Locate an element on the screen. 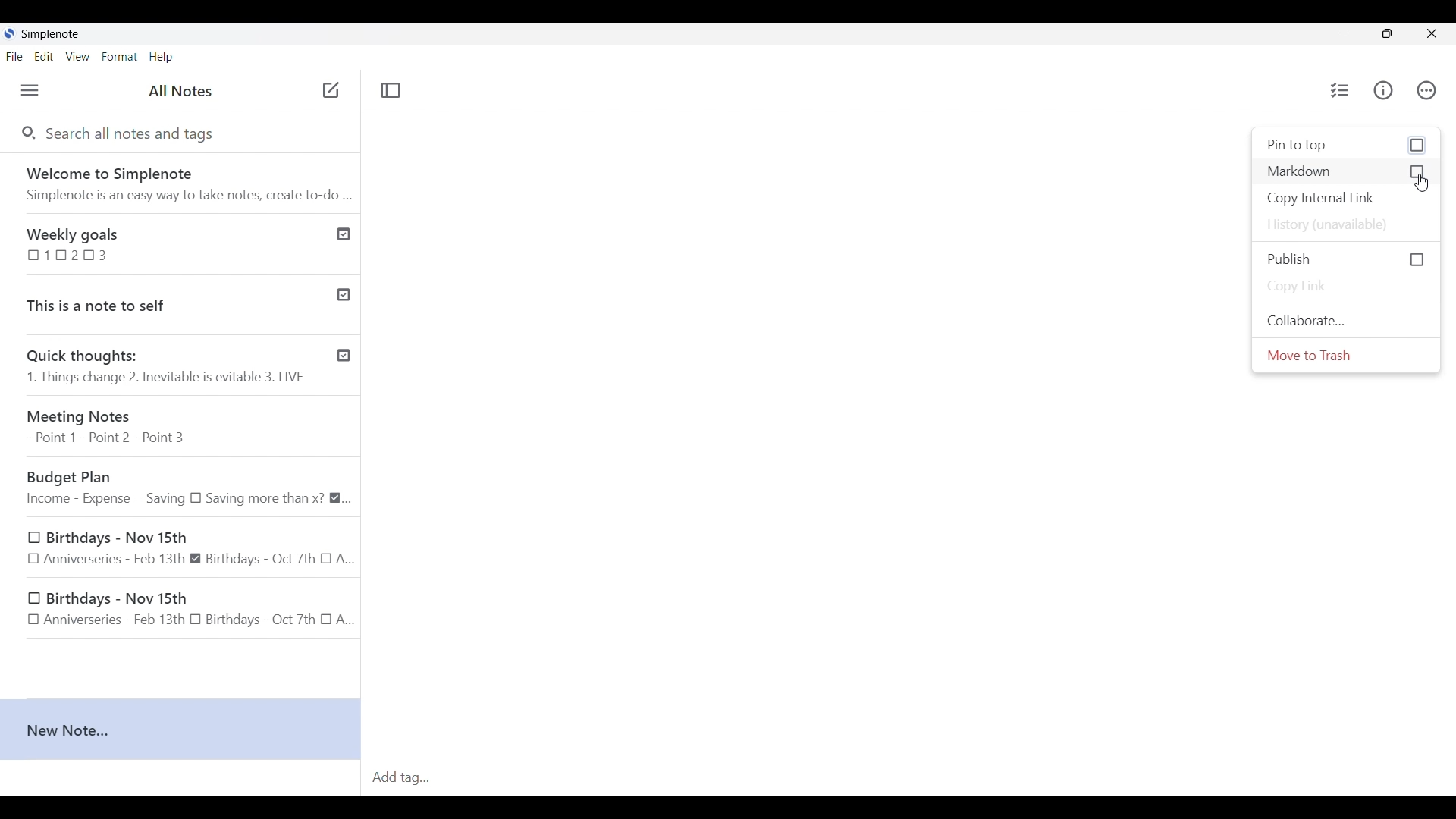 The width and height of the screenshot is (1456, 819). Birthdays - Nov 15th is located at coordinates (184, 610).